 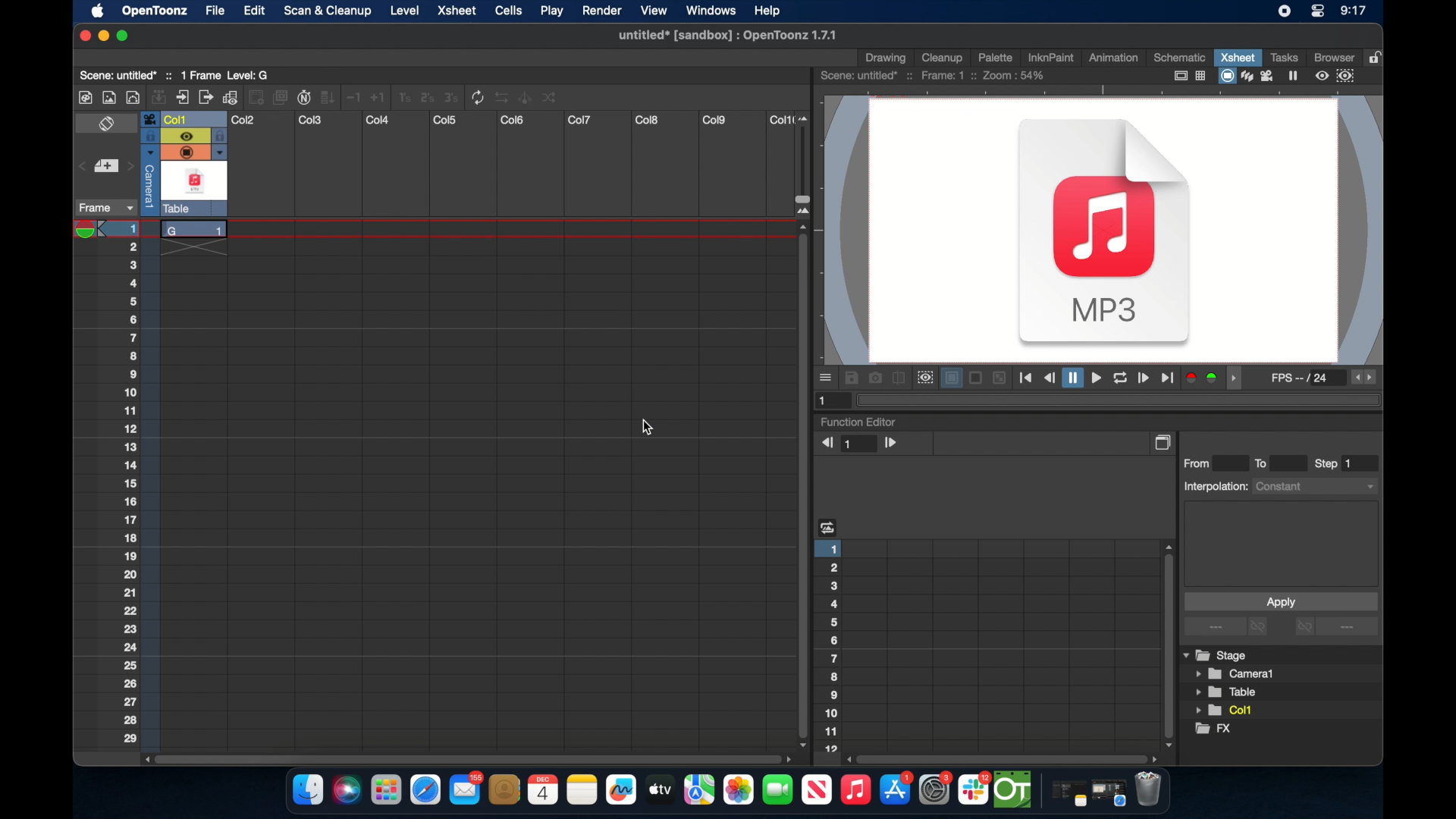 What do you see at coordinates (1165, 442) in the screenshot?
I see `copy` at bounding box center [1165, 442].